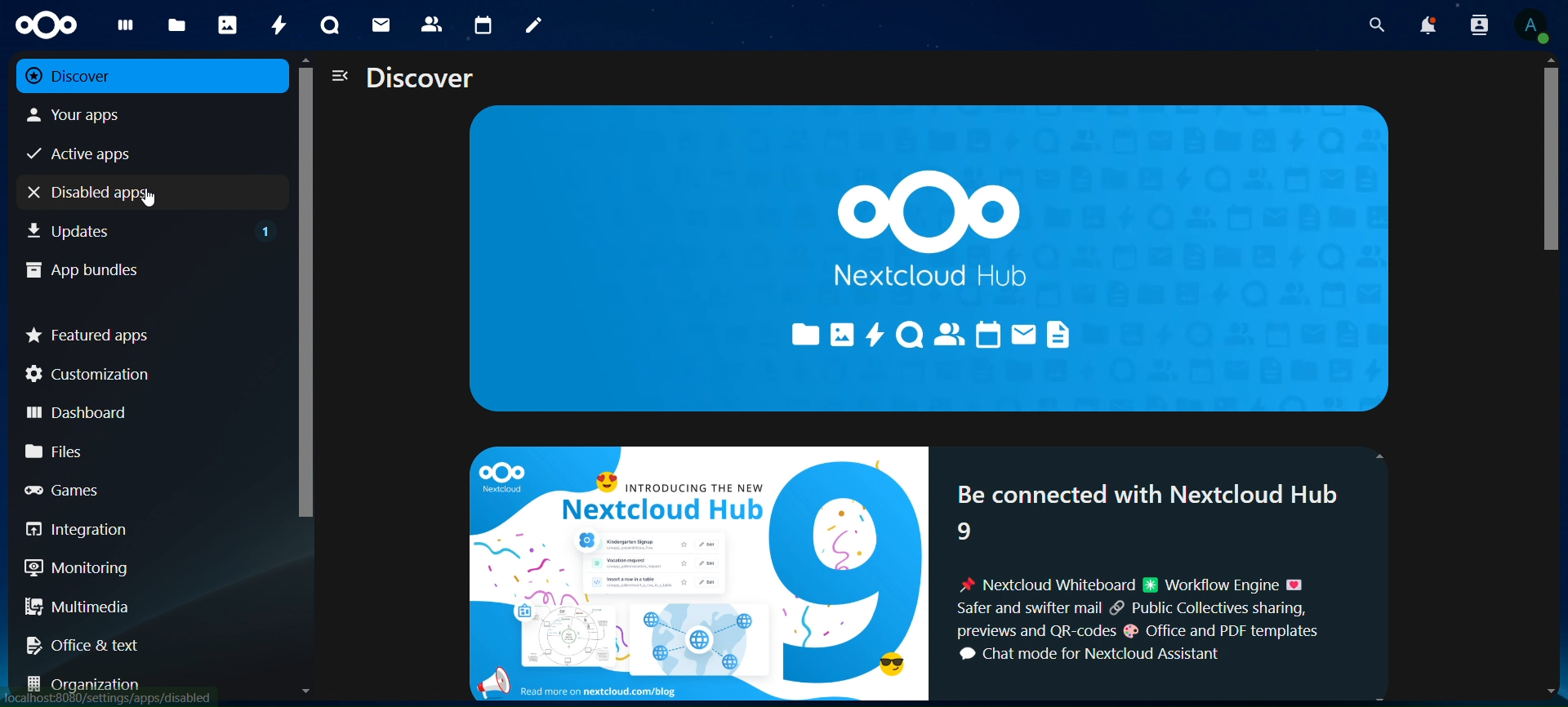 This screenshot has height=707, width=1568. What do you see at coordinates (73, 193) in the screenshot?
I see `disabled apps` at bounding box center [73, 193].